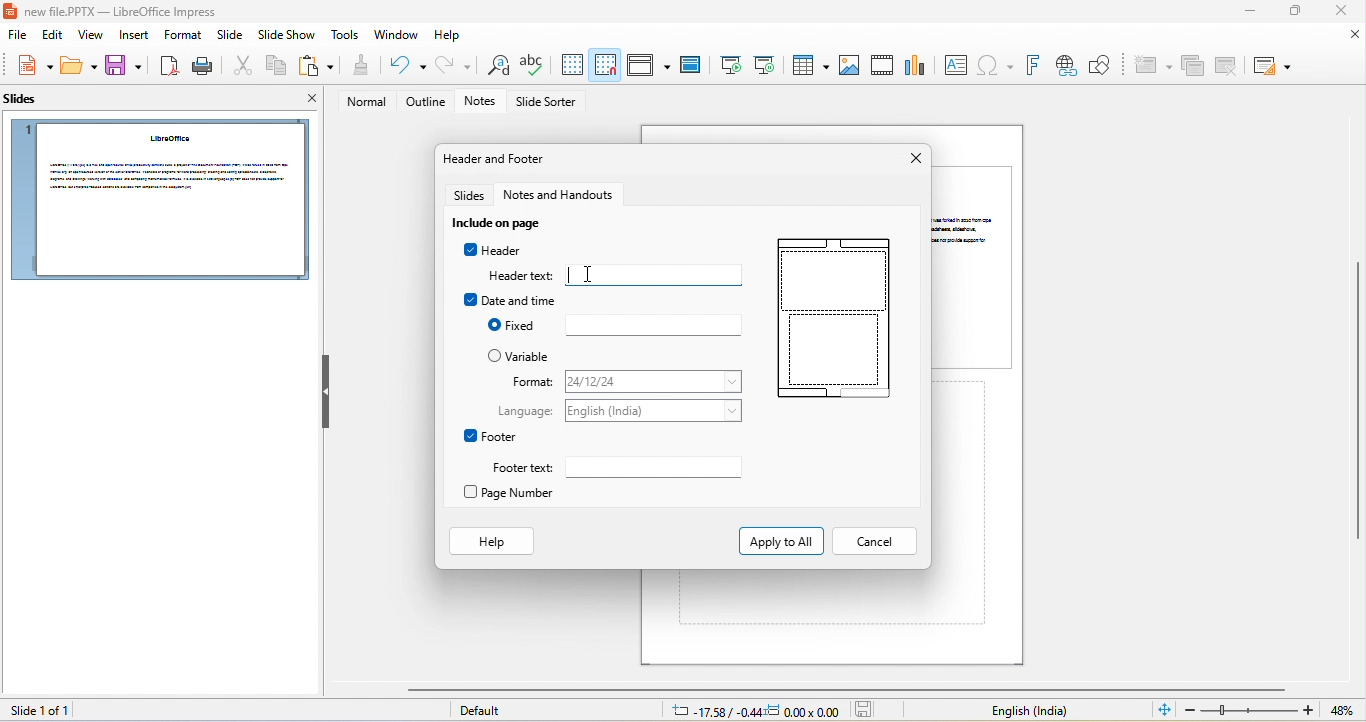  I want to click on notes, so click(484, 102).